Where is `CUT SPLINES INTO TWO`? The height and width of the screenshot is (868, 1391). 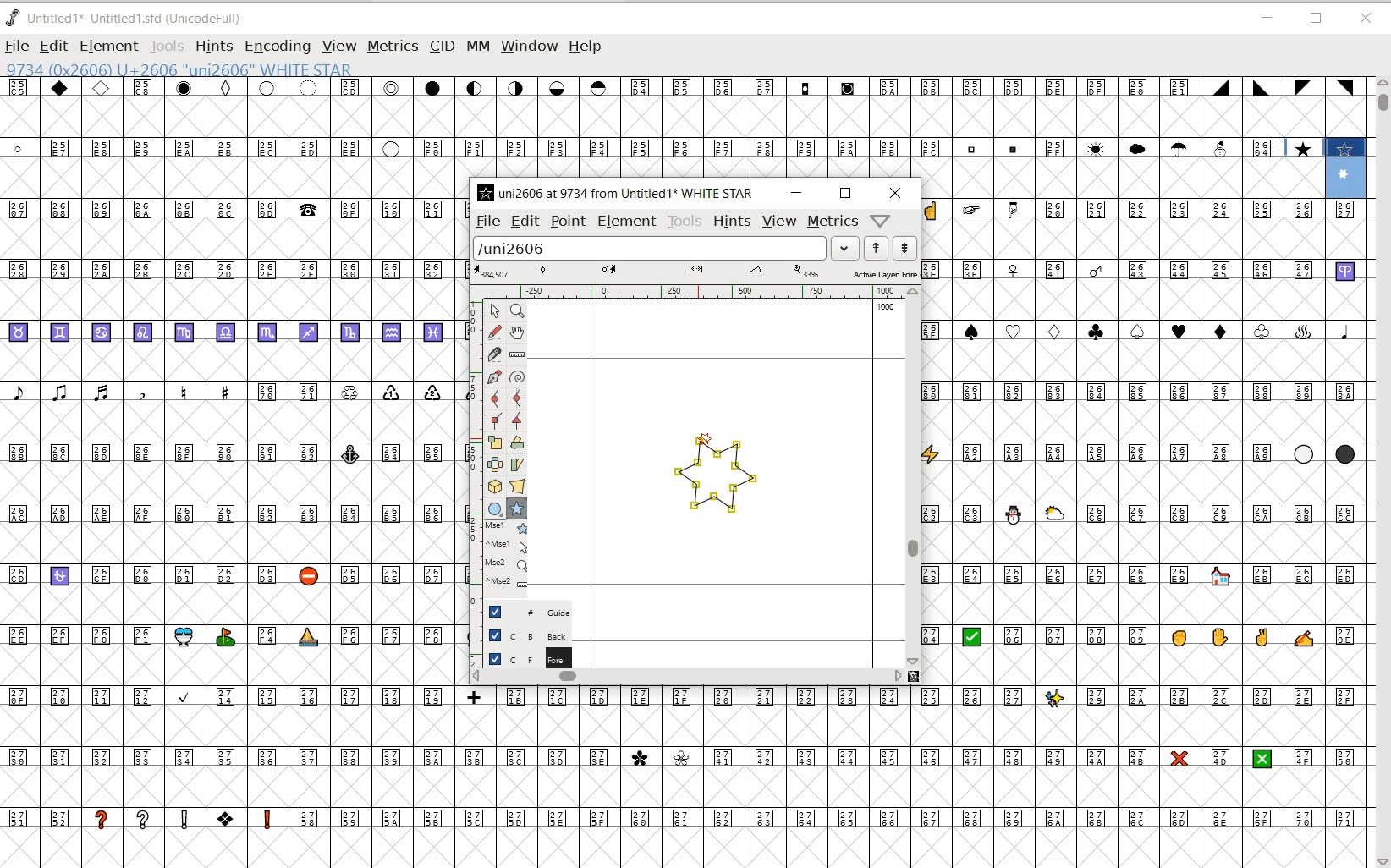
CUT SPLINES INTO TWO is located at coordinates (495, 354).